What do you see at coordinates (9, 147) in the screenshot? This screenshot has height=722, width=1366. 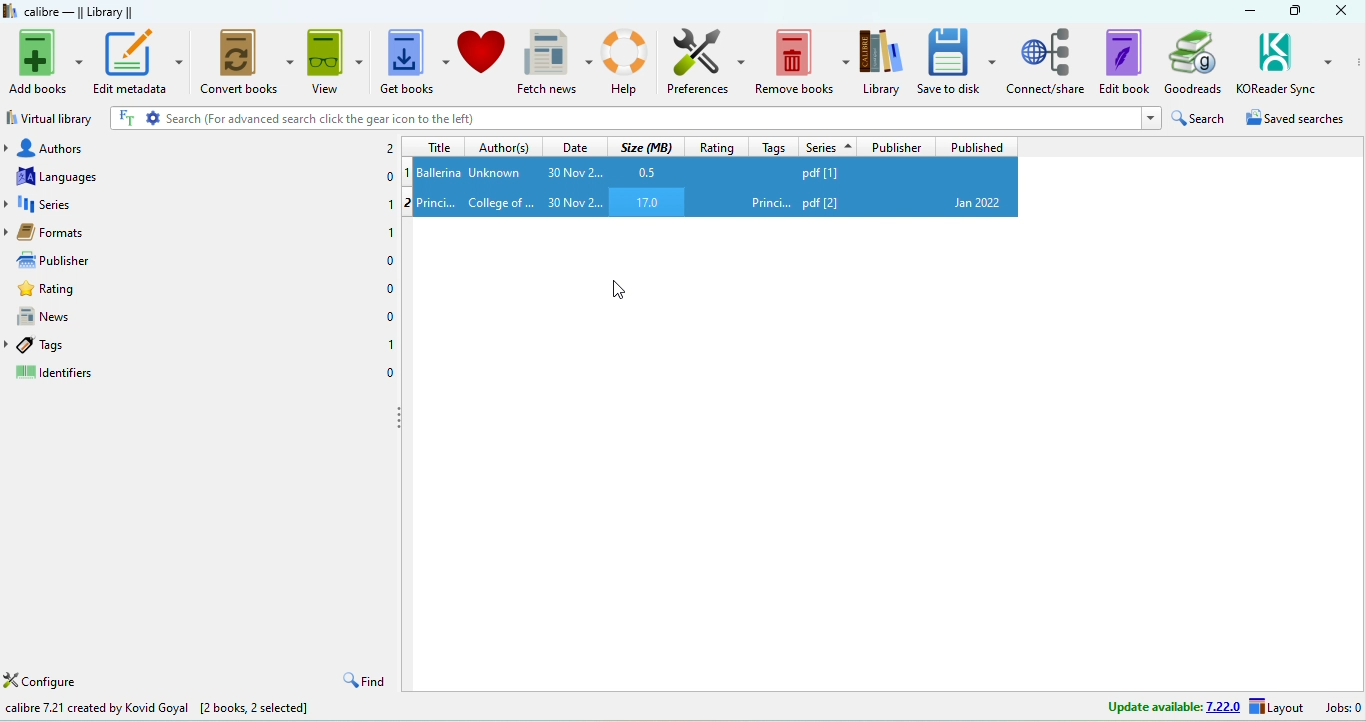 I see `drop down` at bounding box center [9, 147].